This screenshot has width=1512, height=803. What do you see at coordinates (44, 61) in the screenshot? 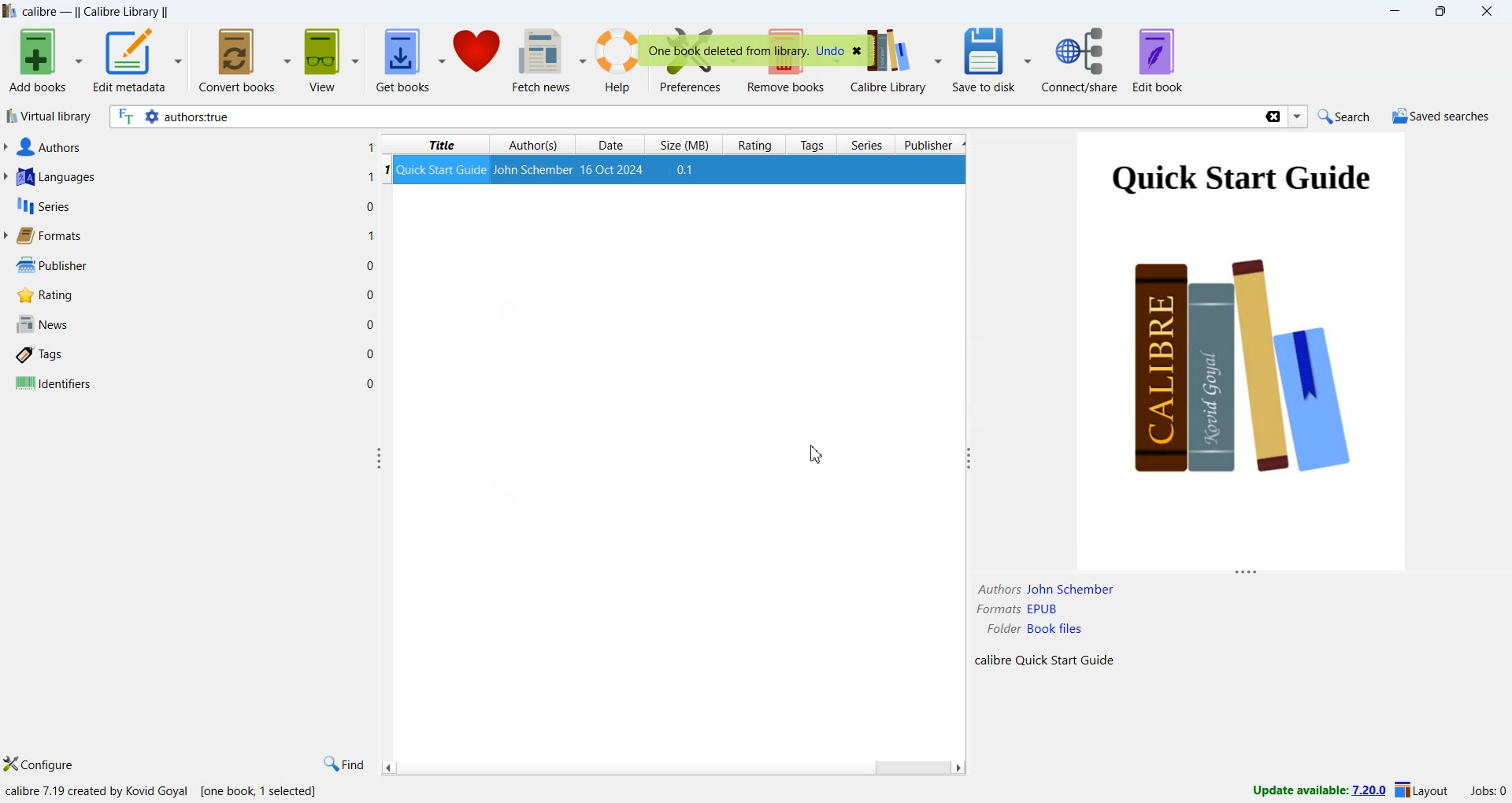
I see `add books` at bounding box center [44, 61].